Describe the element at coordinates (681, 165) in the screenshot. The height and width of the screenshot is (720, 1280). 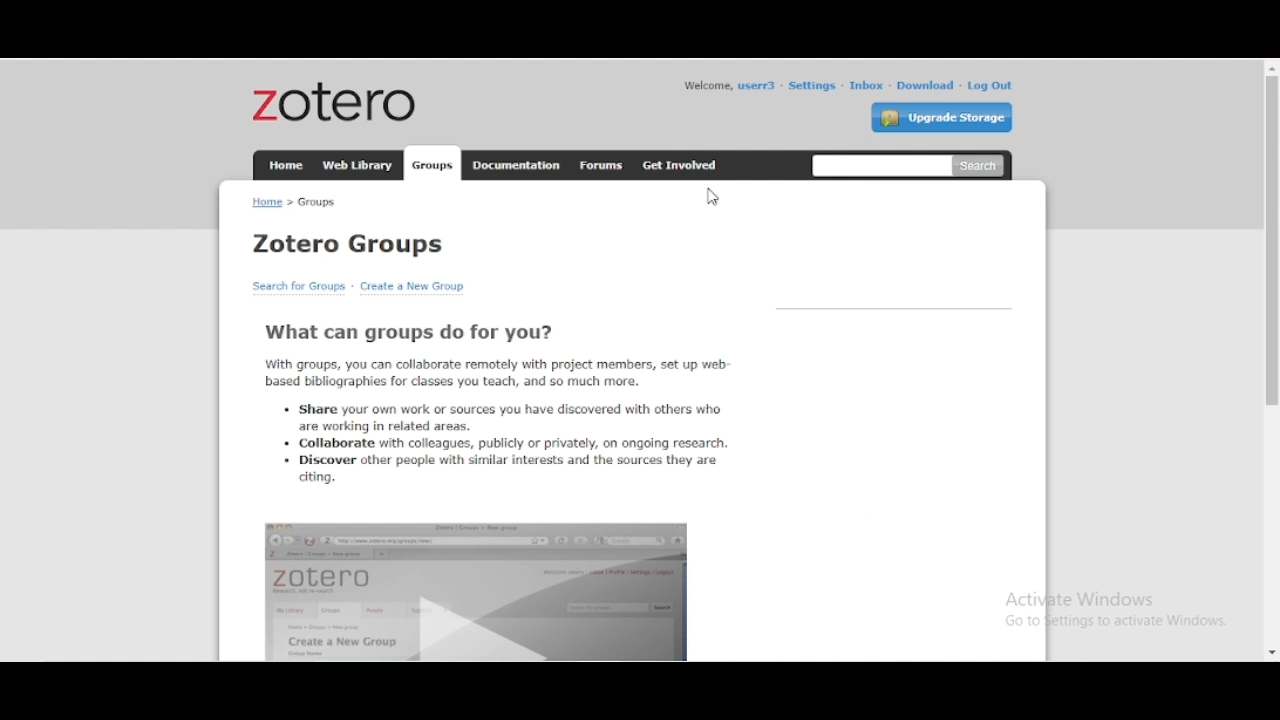
I see `get involved` at that location.